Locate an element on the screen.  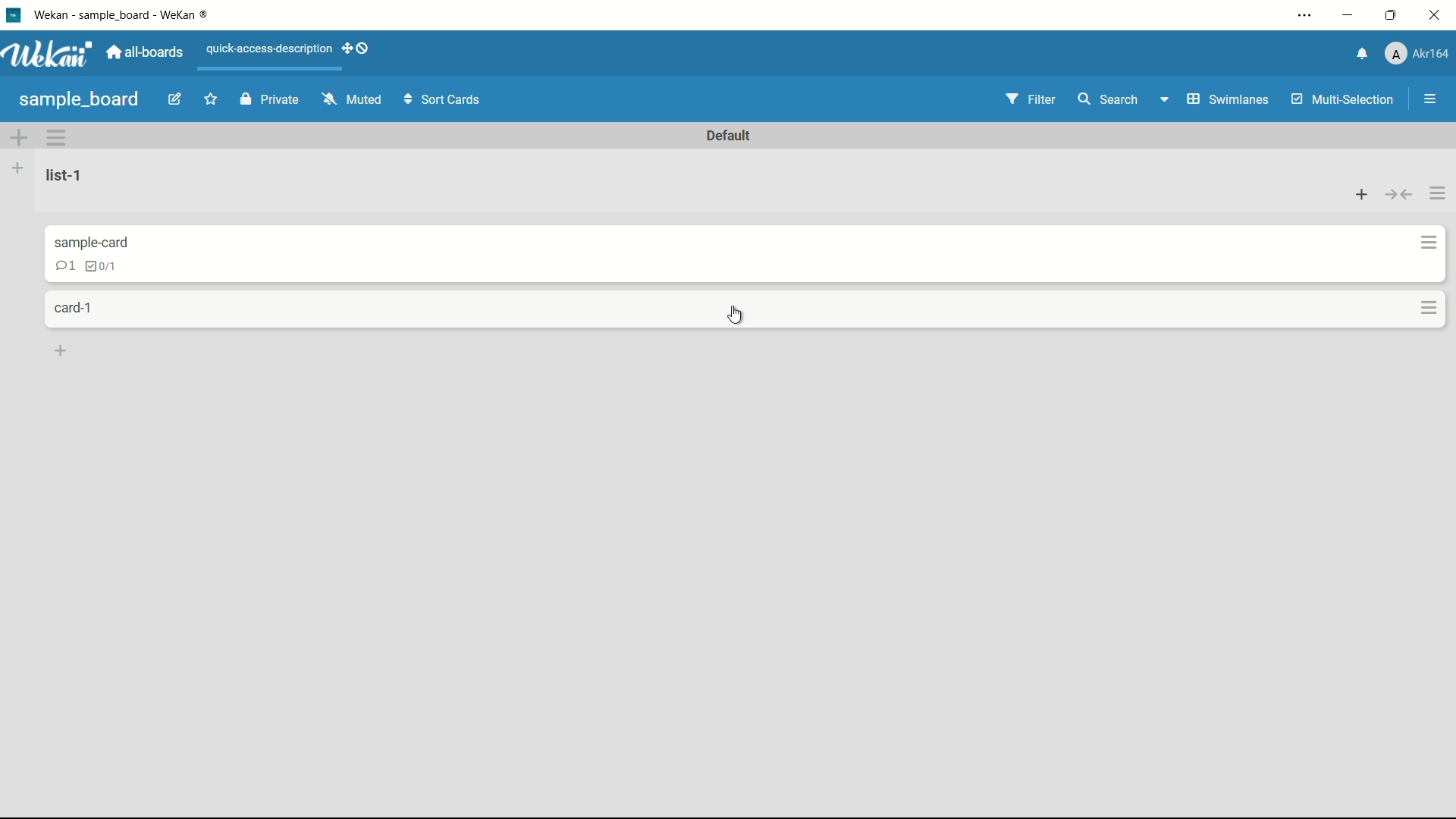
list actions is located at coordinates (1357, 189).